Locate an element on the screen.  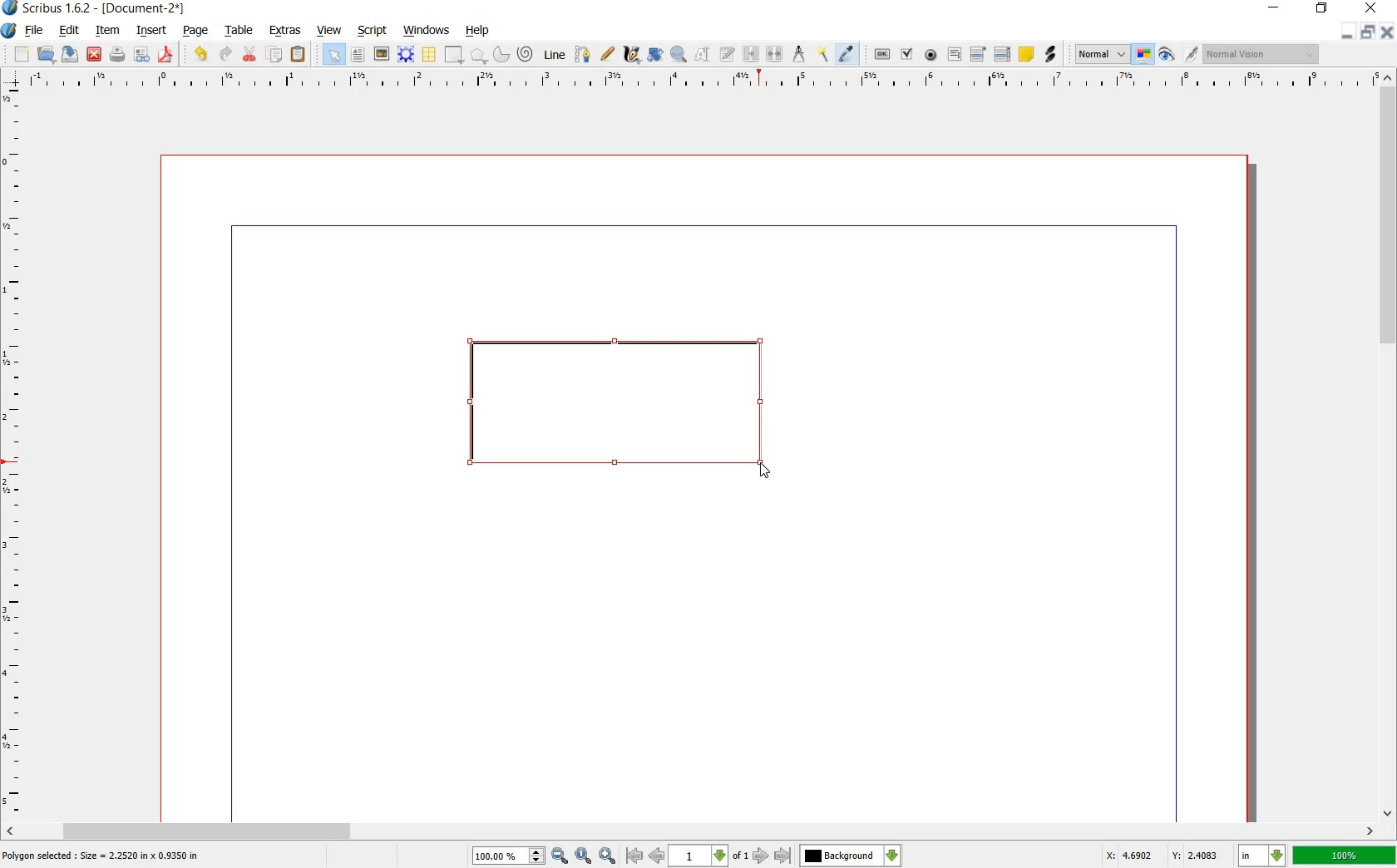
LINE is located at coordinates (555, 52).